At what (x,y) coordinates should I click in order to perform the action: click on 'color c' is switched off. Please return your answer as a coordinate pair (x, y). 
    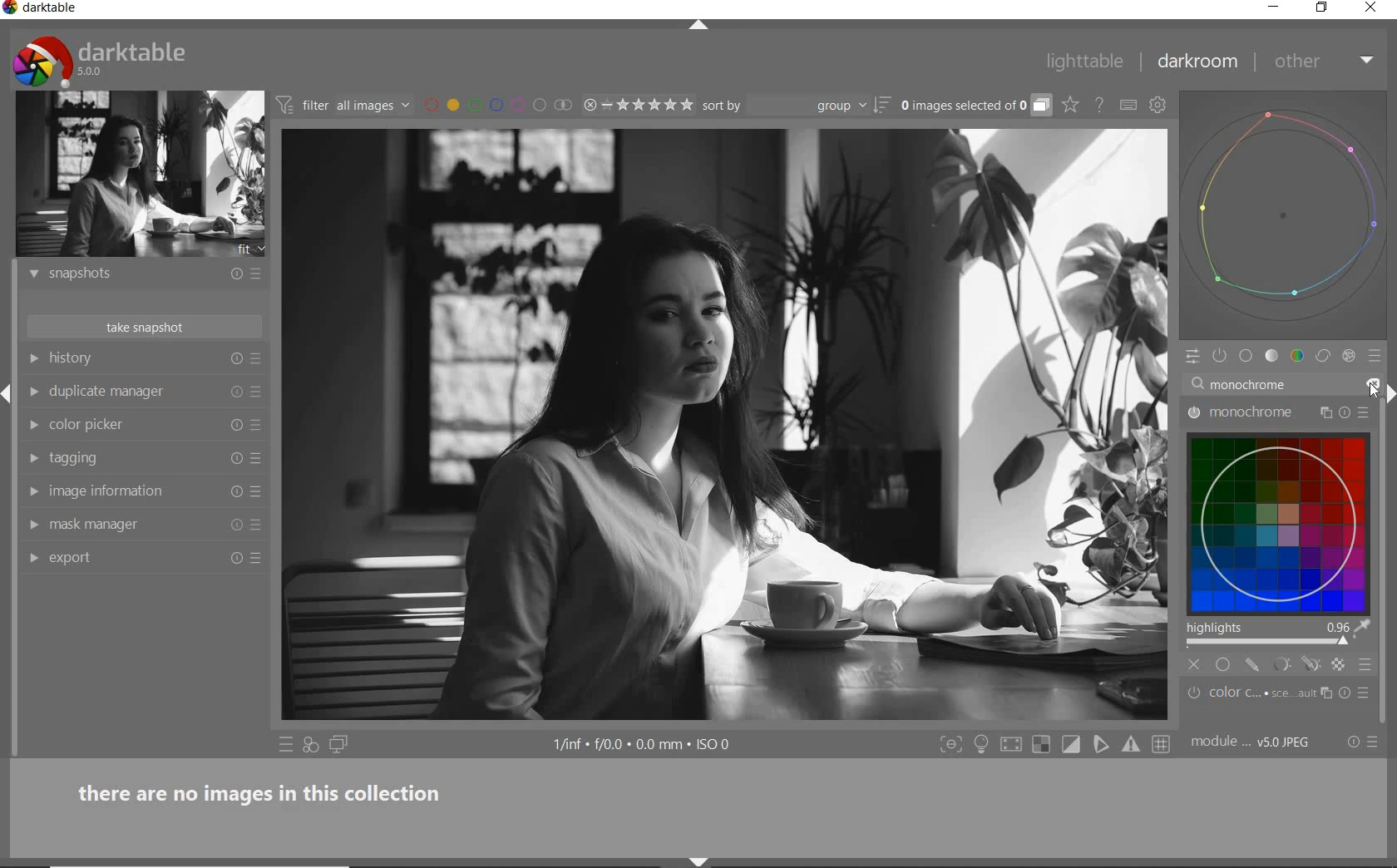
    Looking at the image, I should click on (1194, 693).